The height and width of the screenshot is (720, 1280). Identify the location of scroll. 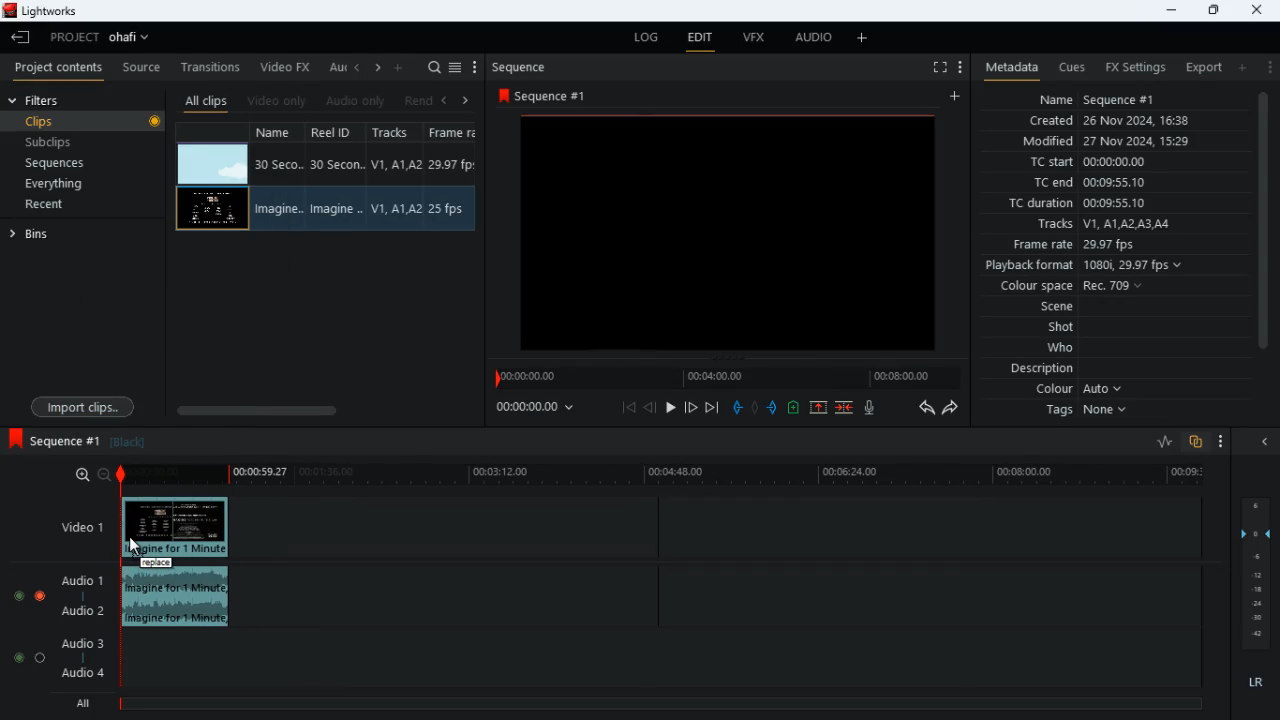
(1262, 231).